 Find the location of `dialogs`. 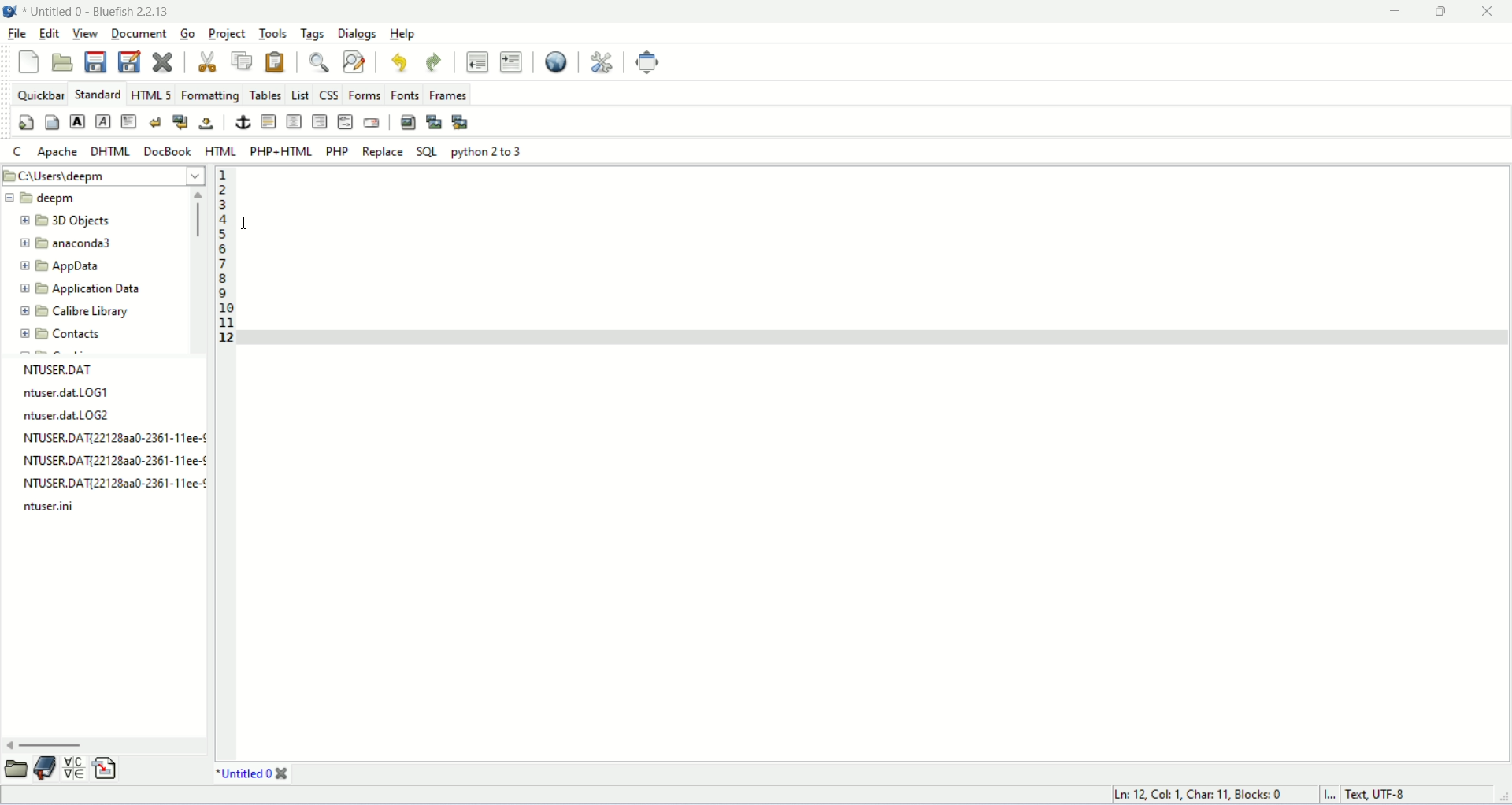

dialogs is located at coordinates (356, 34).